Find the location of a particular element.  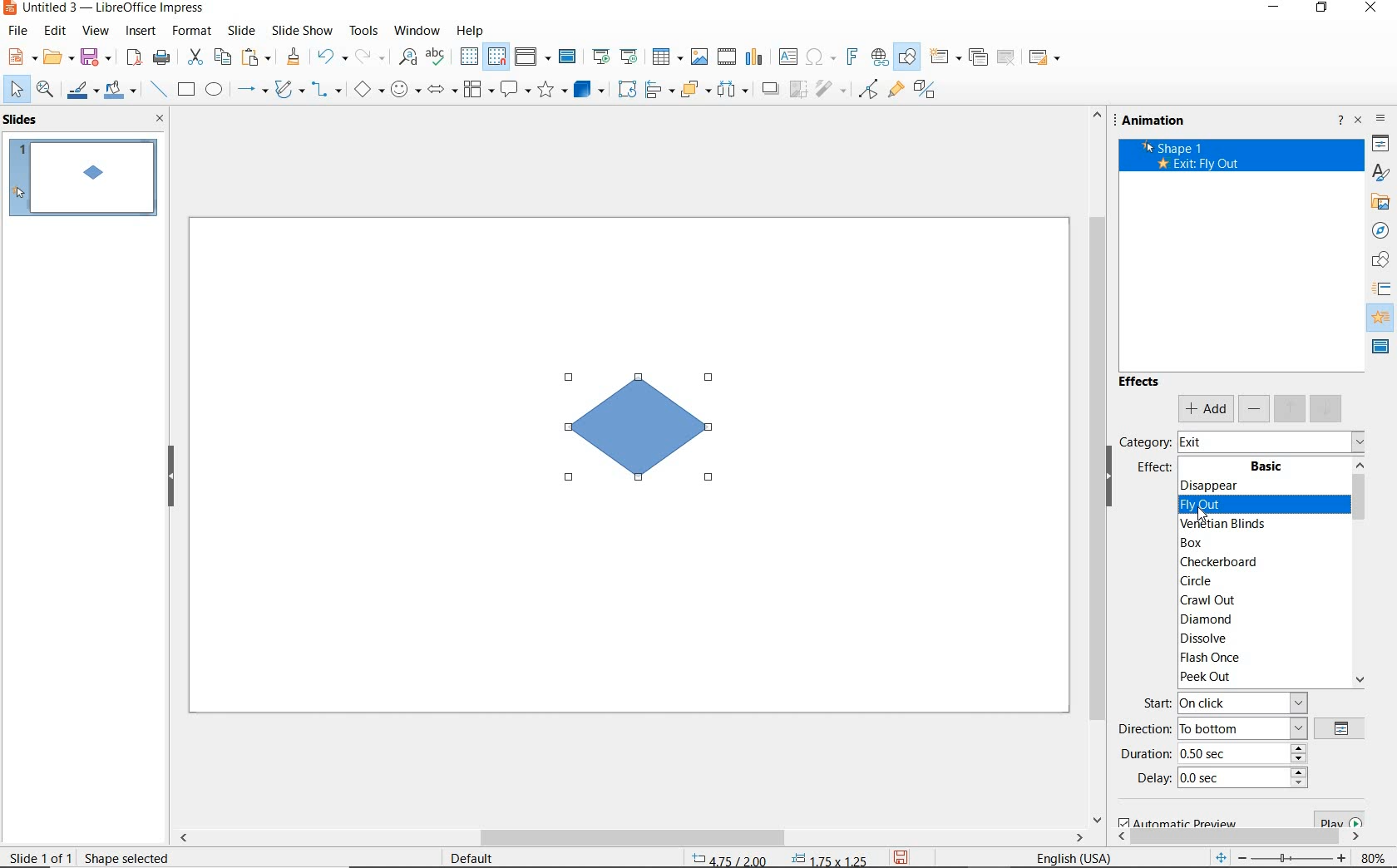

slide 1 of 1 is located at coordinates (40, 856).